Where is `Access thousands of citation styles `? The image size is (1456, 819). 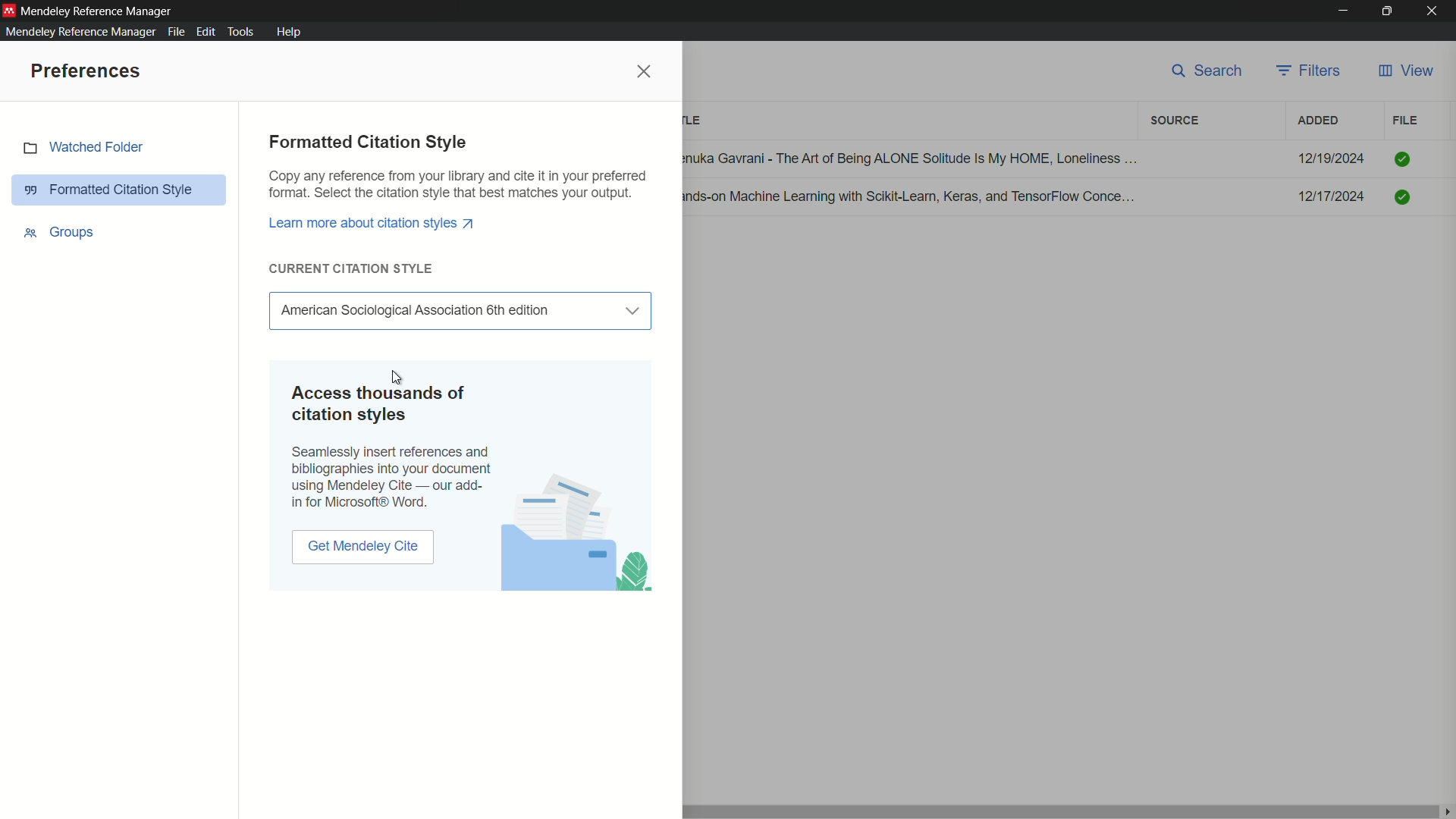
Access thousands of citation styles  is located at coordinates (385, 406).